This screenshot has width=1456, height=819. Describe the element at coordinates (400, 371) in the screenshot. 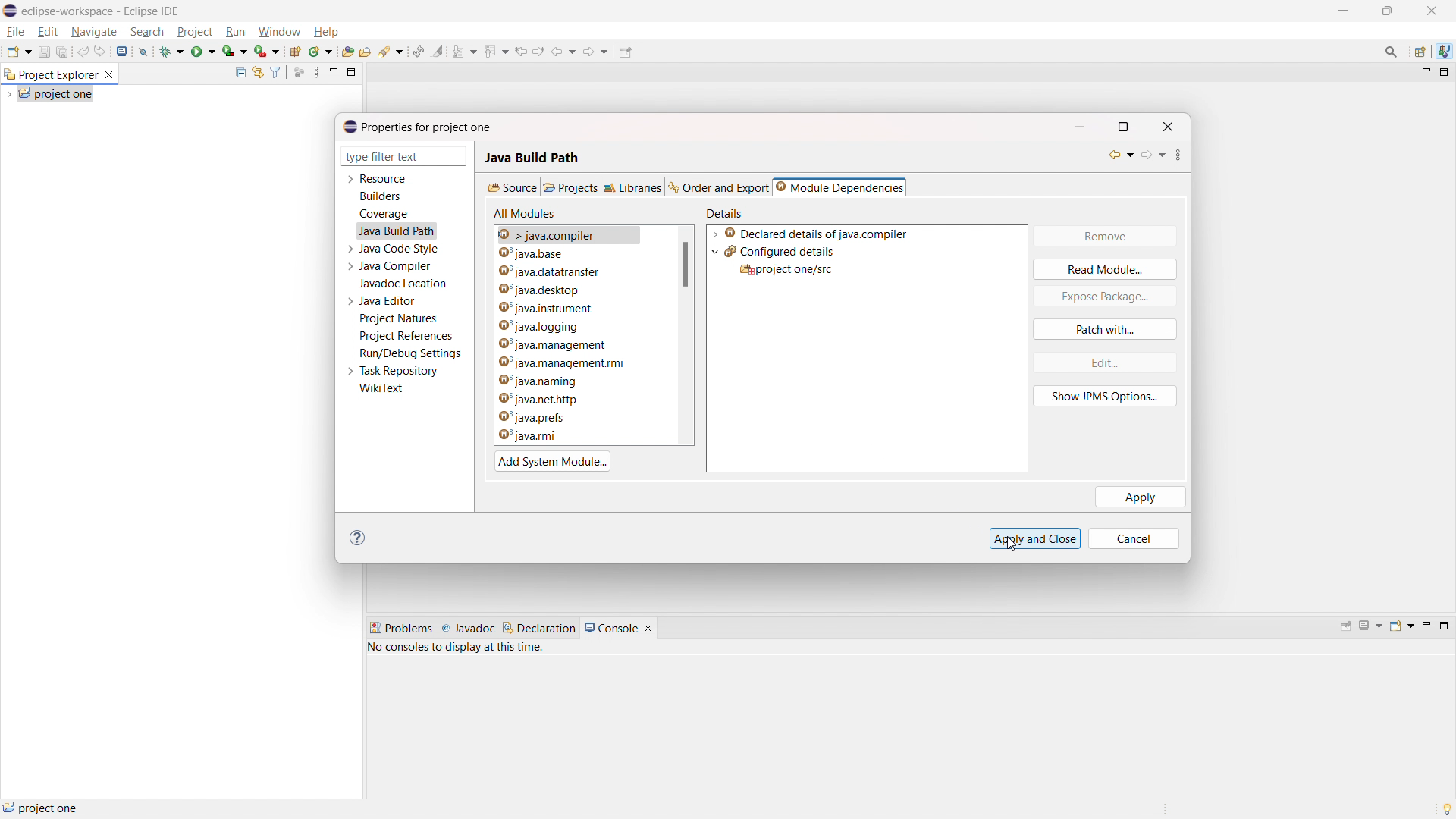

I see `task repository` at that location.